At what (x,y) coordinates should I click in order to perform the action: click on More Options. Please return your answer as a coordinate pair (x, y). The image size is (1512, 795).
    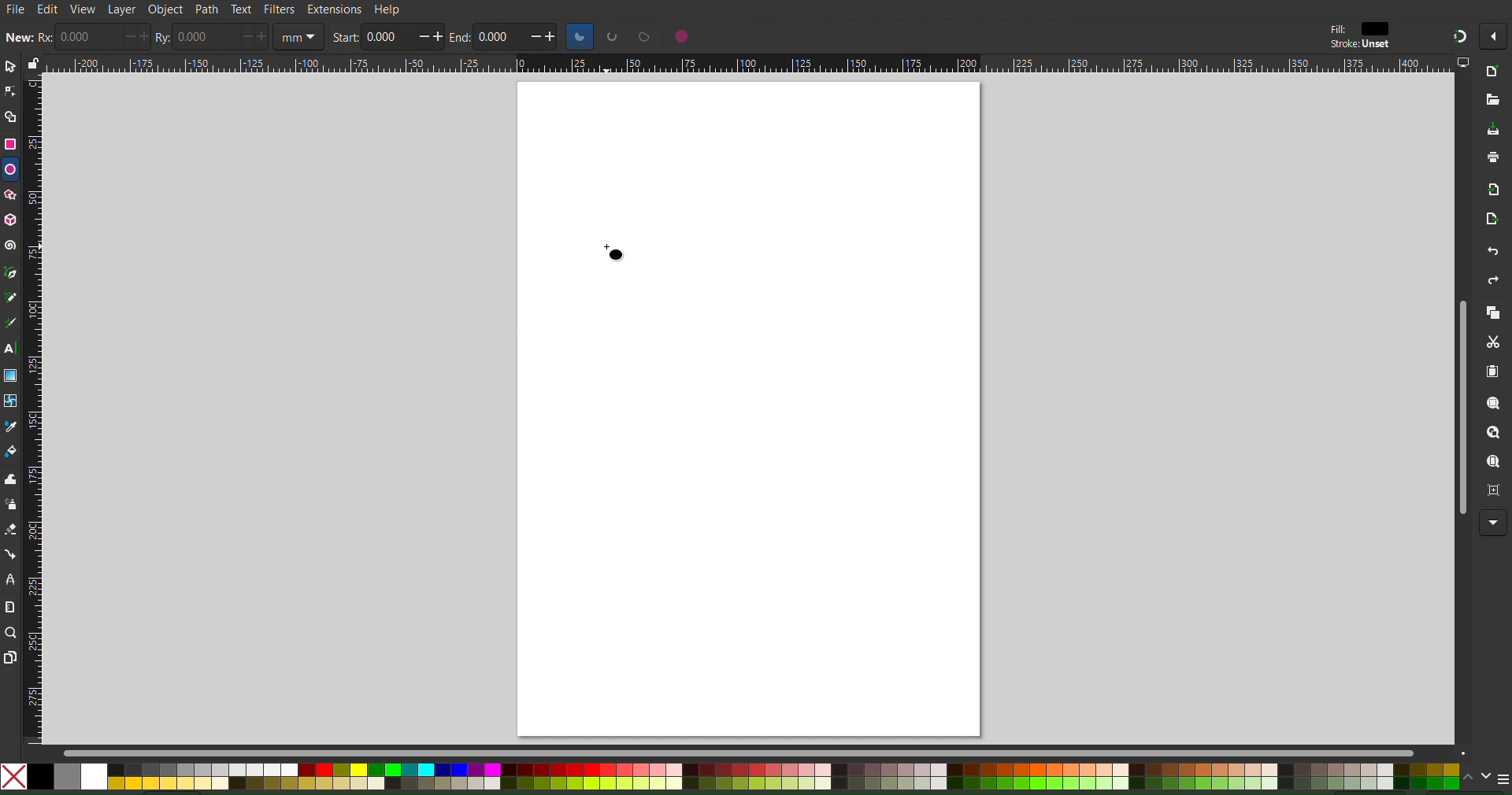
    Looking at the image, I should click on (1493, 523).